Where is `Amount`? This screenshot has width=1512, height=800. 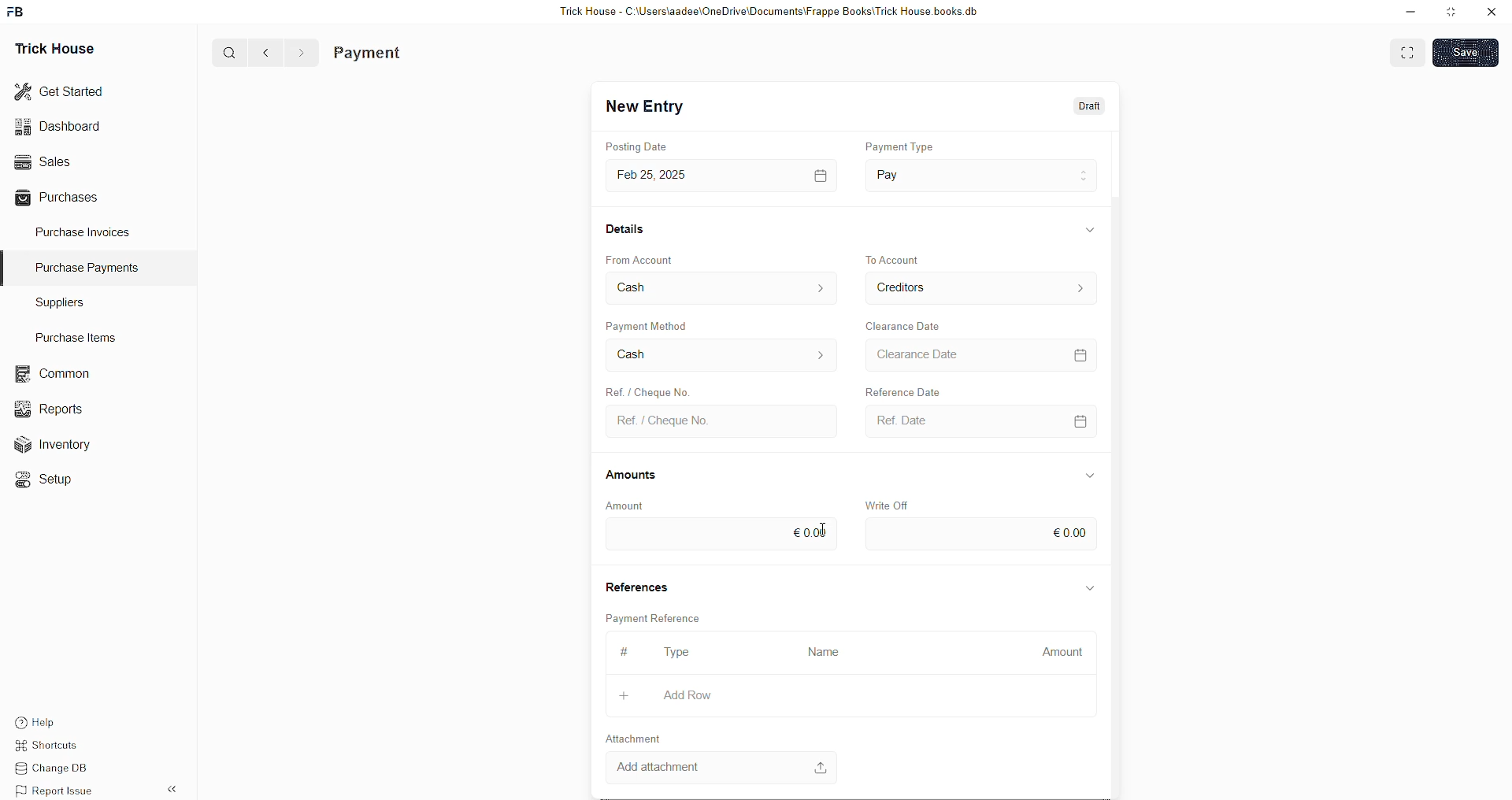 Amount is located at coordinates (630, 504).